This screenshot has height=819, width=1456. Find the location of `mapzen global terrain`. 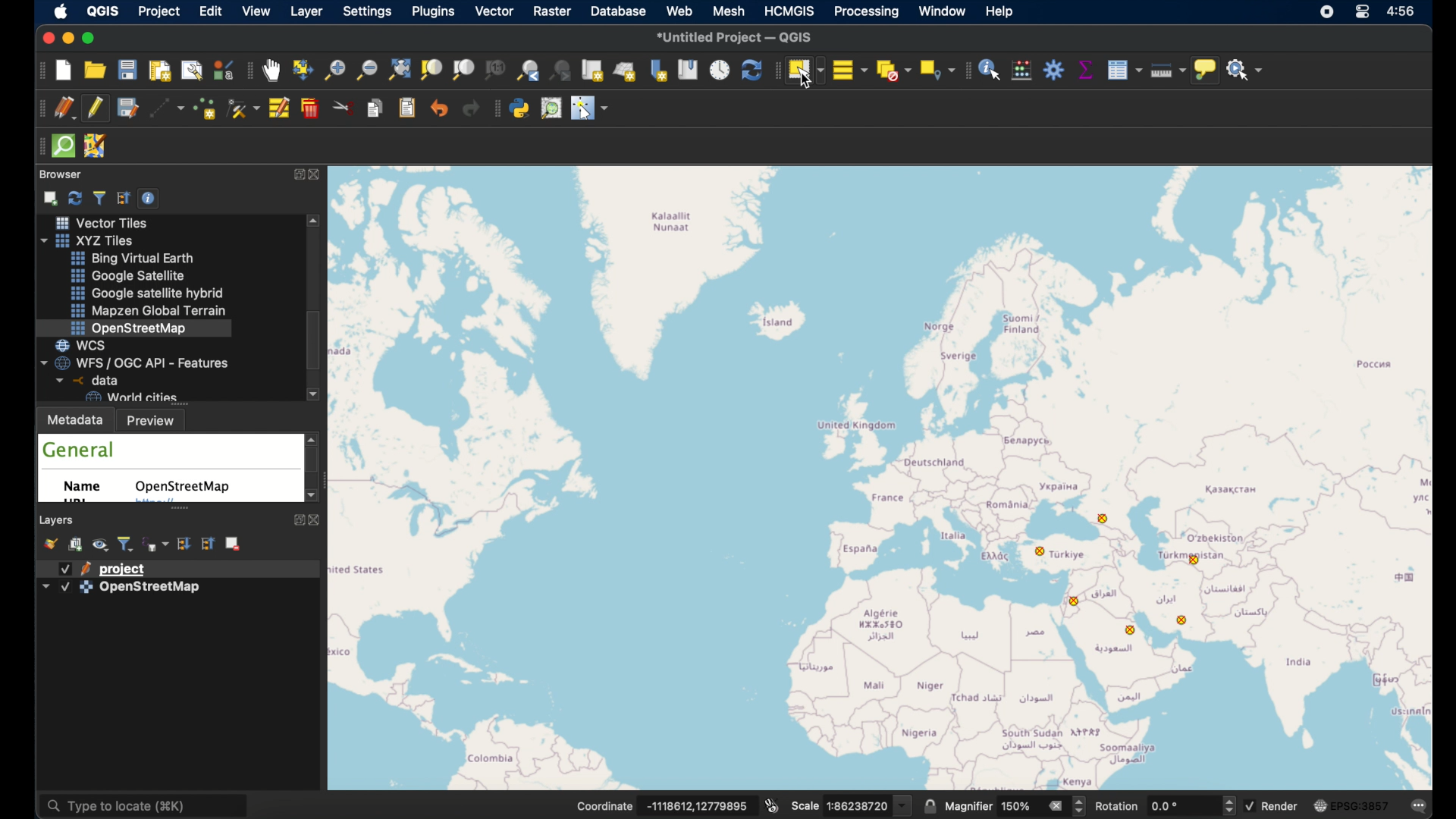

mapzen global terrain is located at coordinates (151, 311).